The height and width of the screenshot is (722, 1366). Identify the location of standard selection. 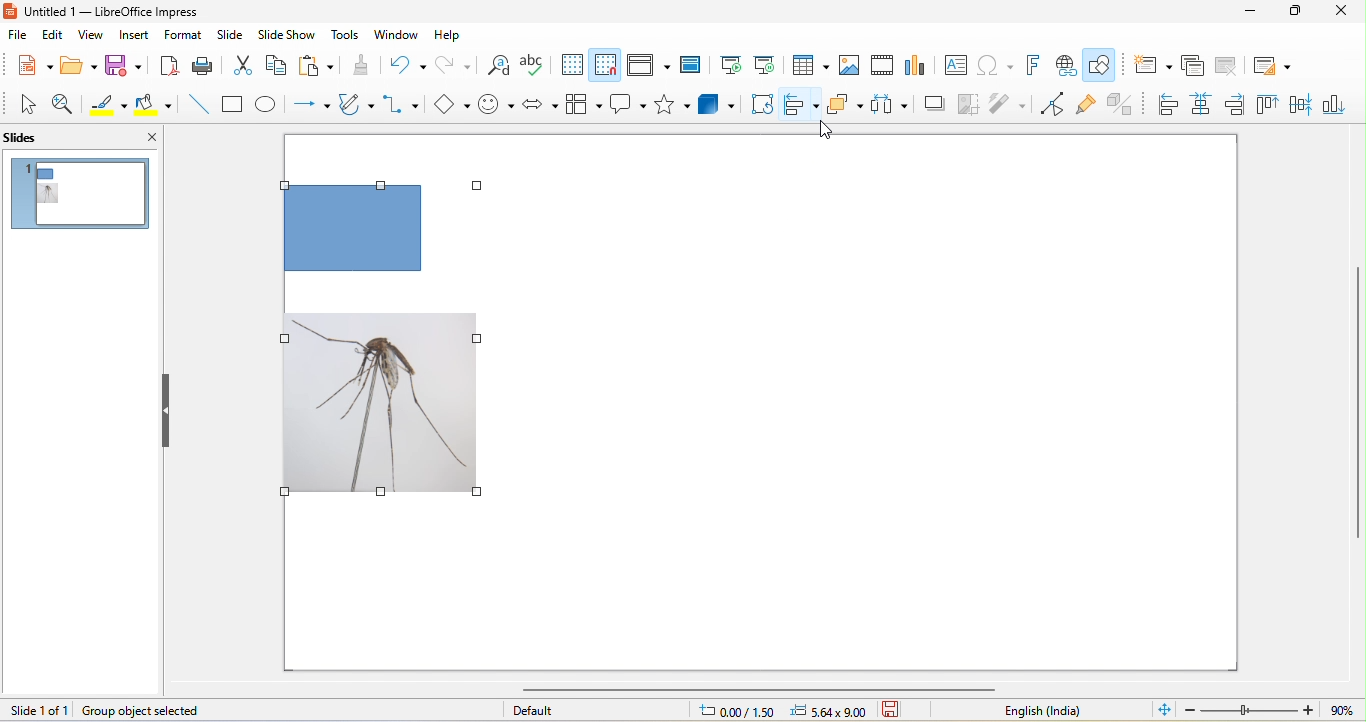
(902, 710).